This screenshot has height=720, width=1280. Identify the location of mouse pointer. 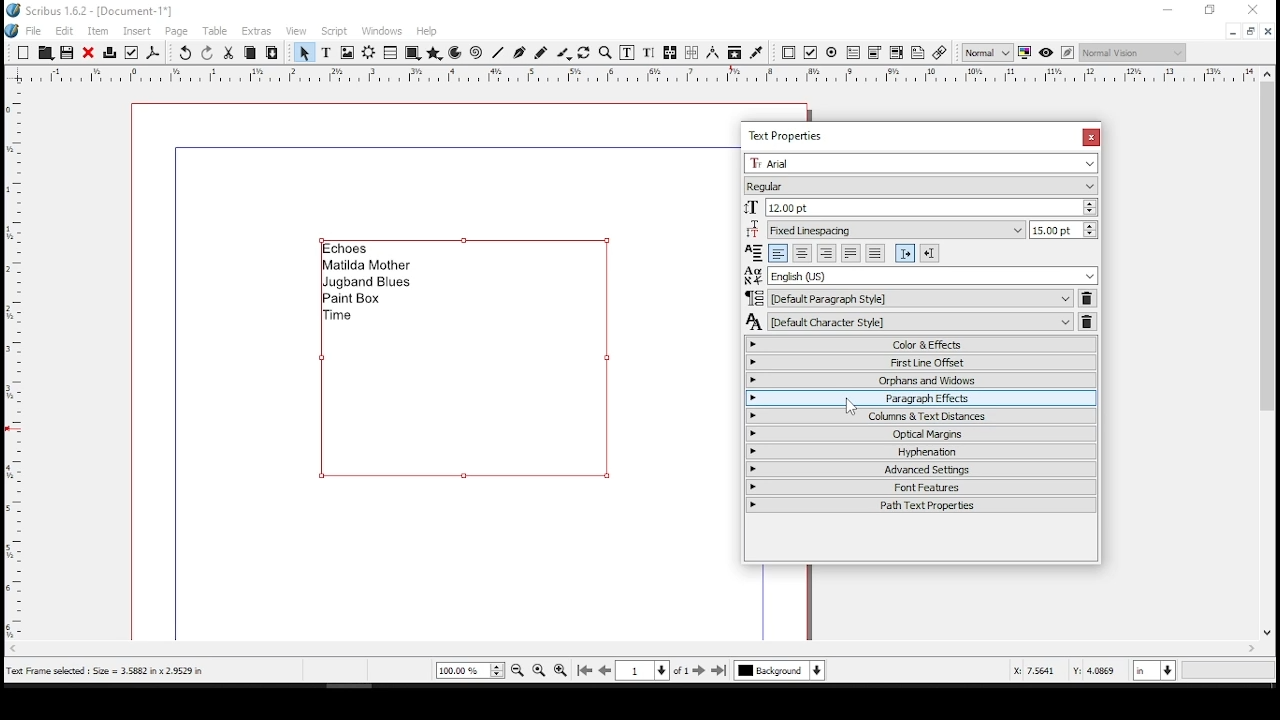
(851, 405).